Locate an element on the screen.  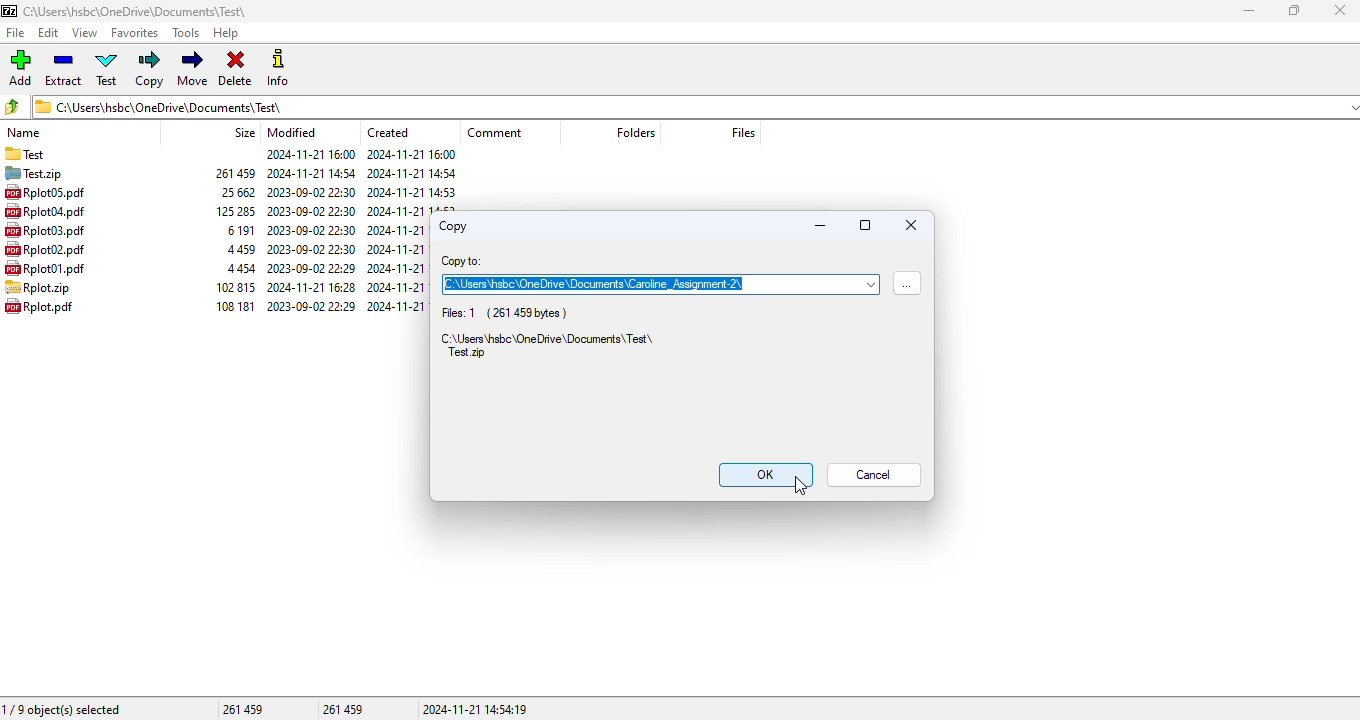
size is located at coordinates (234, 305).